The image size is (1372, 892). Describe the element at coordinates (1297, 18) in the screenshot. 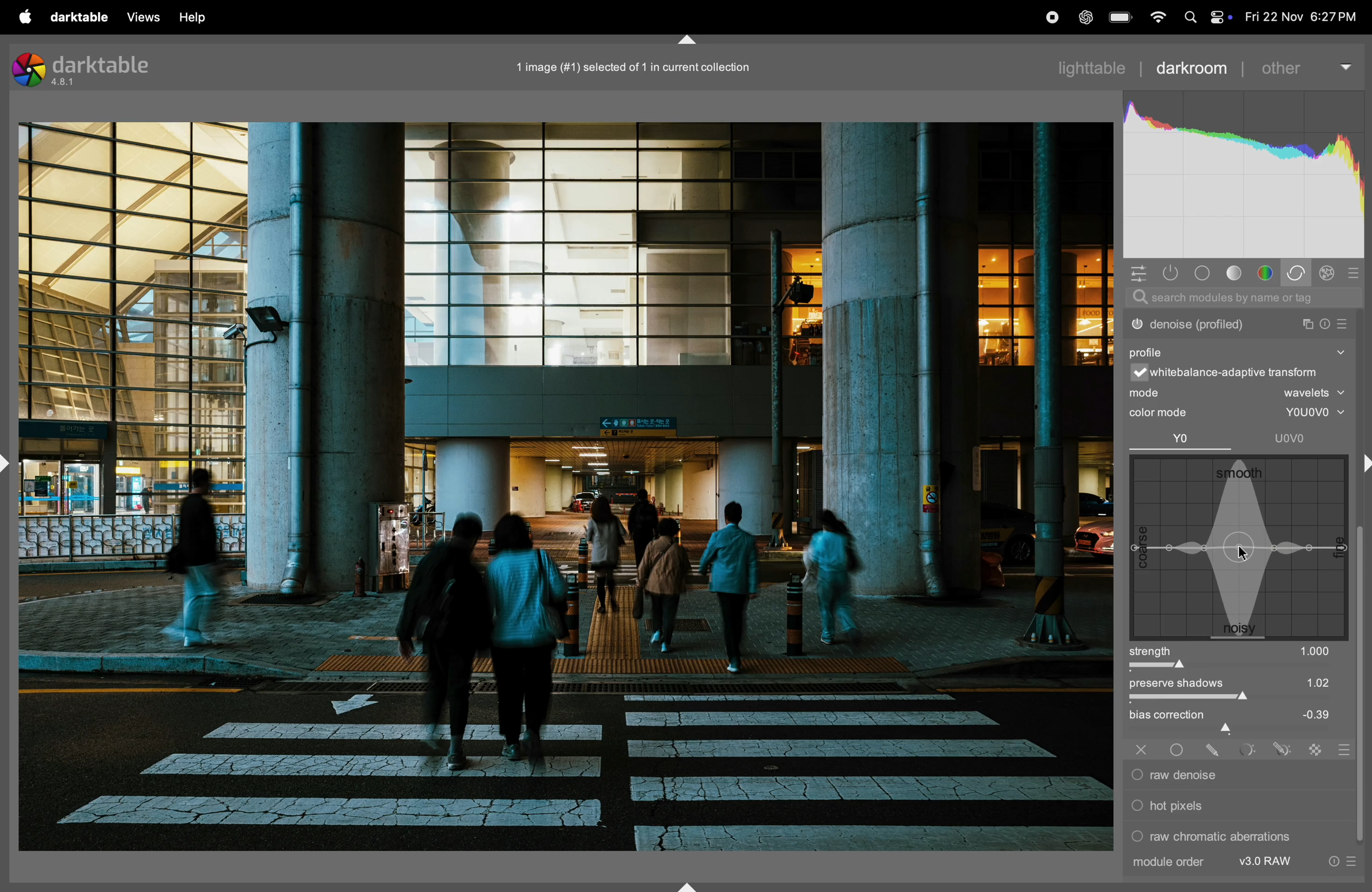

I see `date and time` at that location.